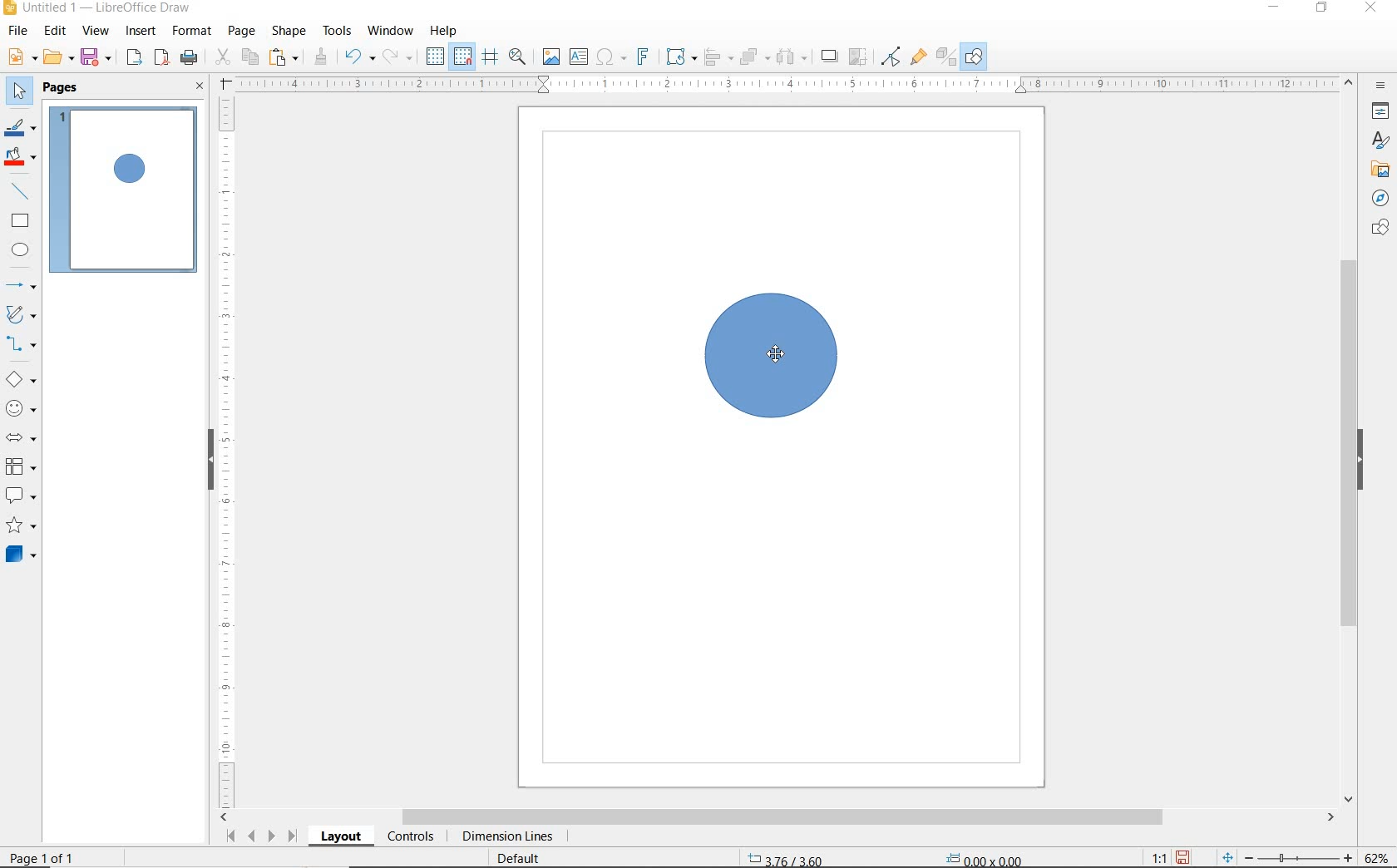 This screenshot has width=1397, height=868. Describe the element at coordinates (100, 9) in the screenshot. I see `Untitled 1 — LibreOffice Draw` at that location.